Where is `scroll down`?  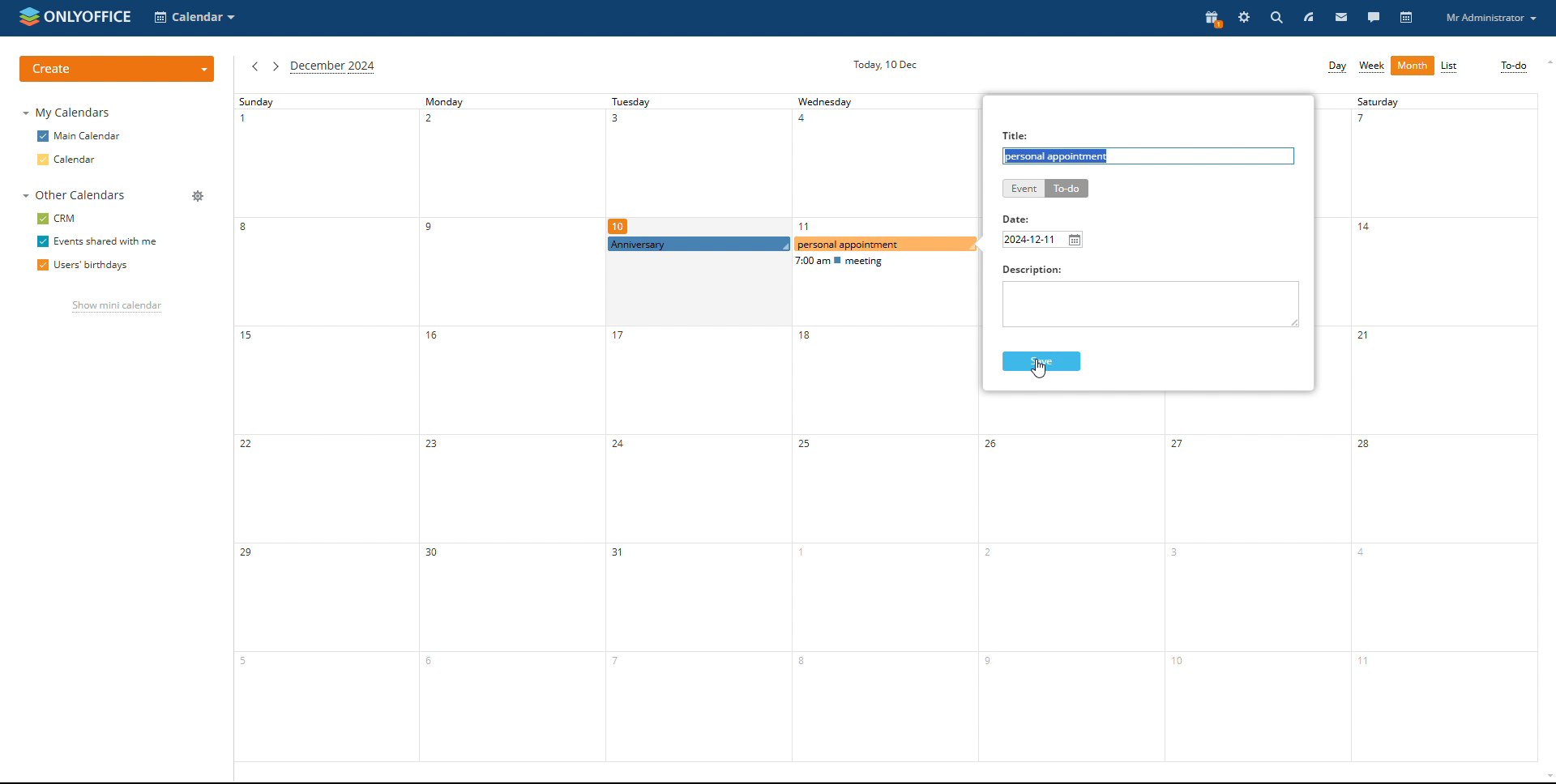 scroll down is located at coordinates (1546, 777).